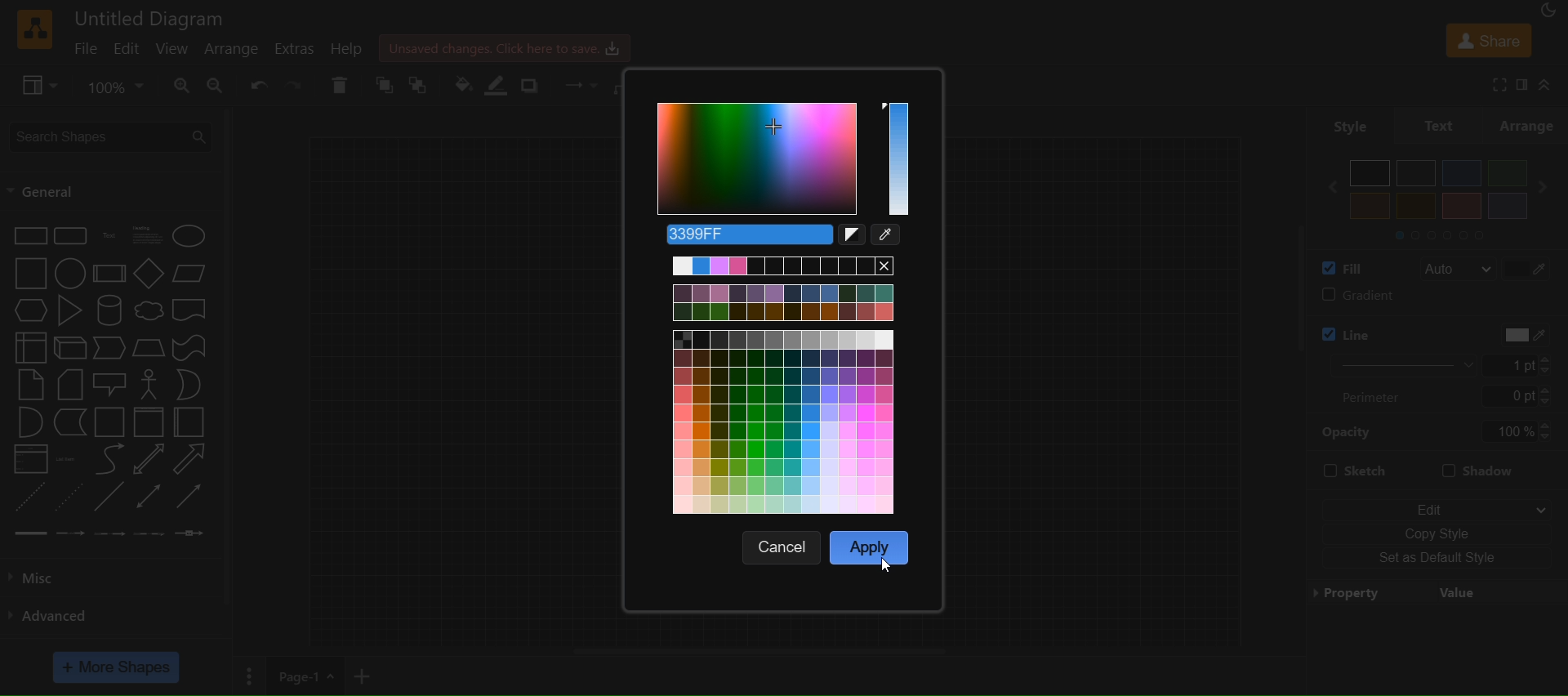  I want to click on connector 4, so click(149, 534).